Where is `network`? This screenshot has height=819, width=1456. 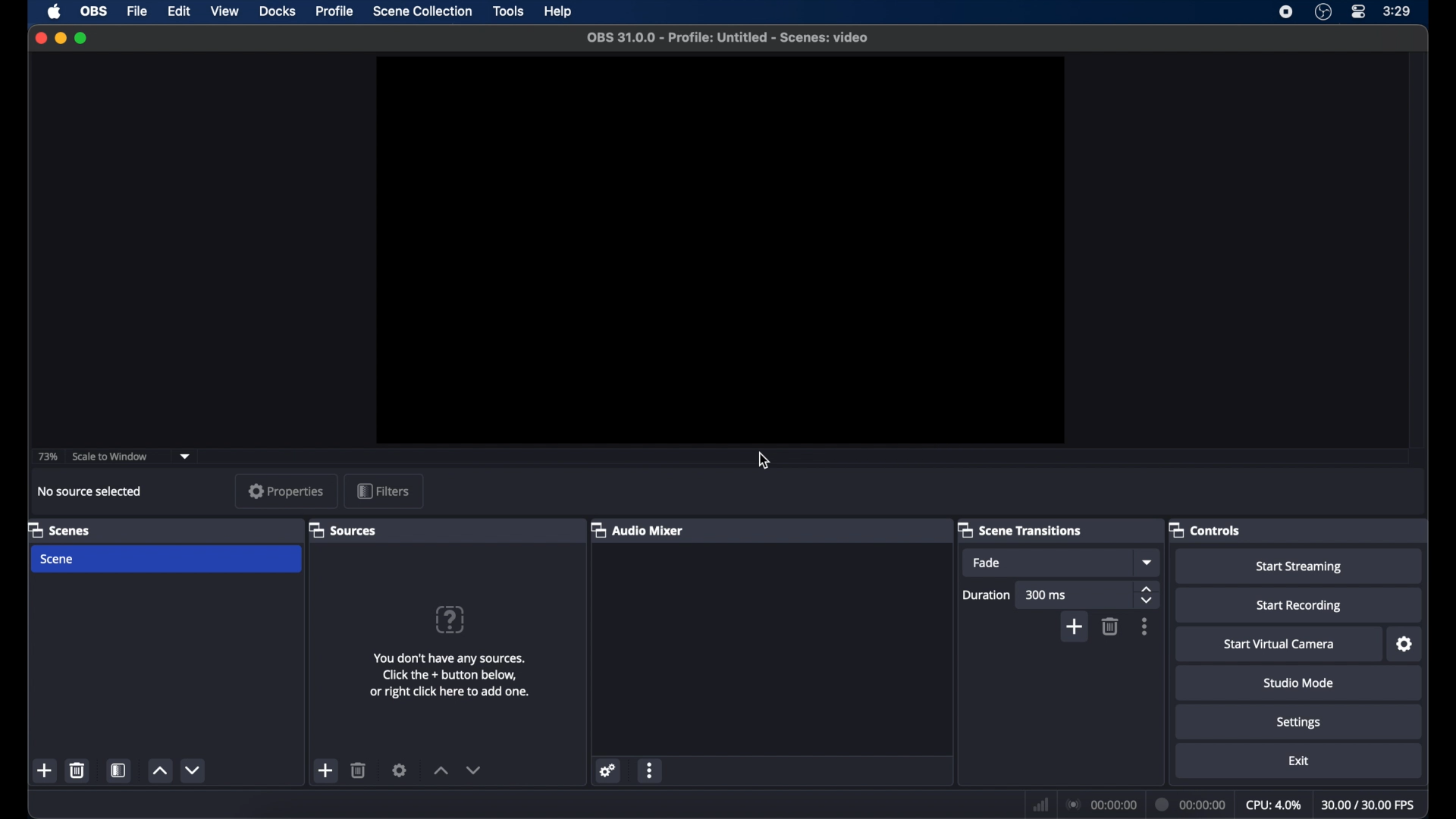 network is located at coordinates (1039, 802).